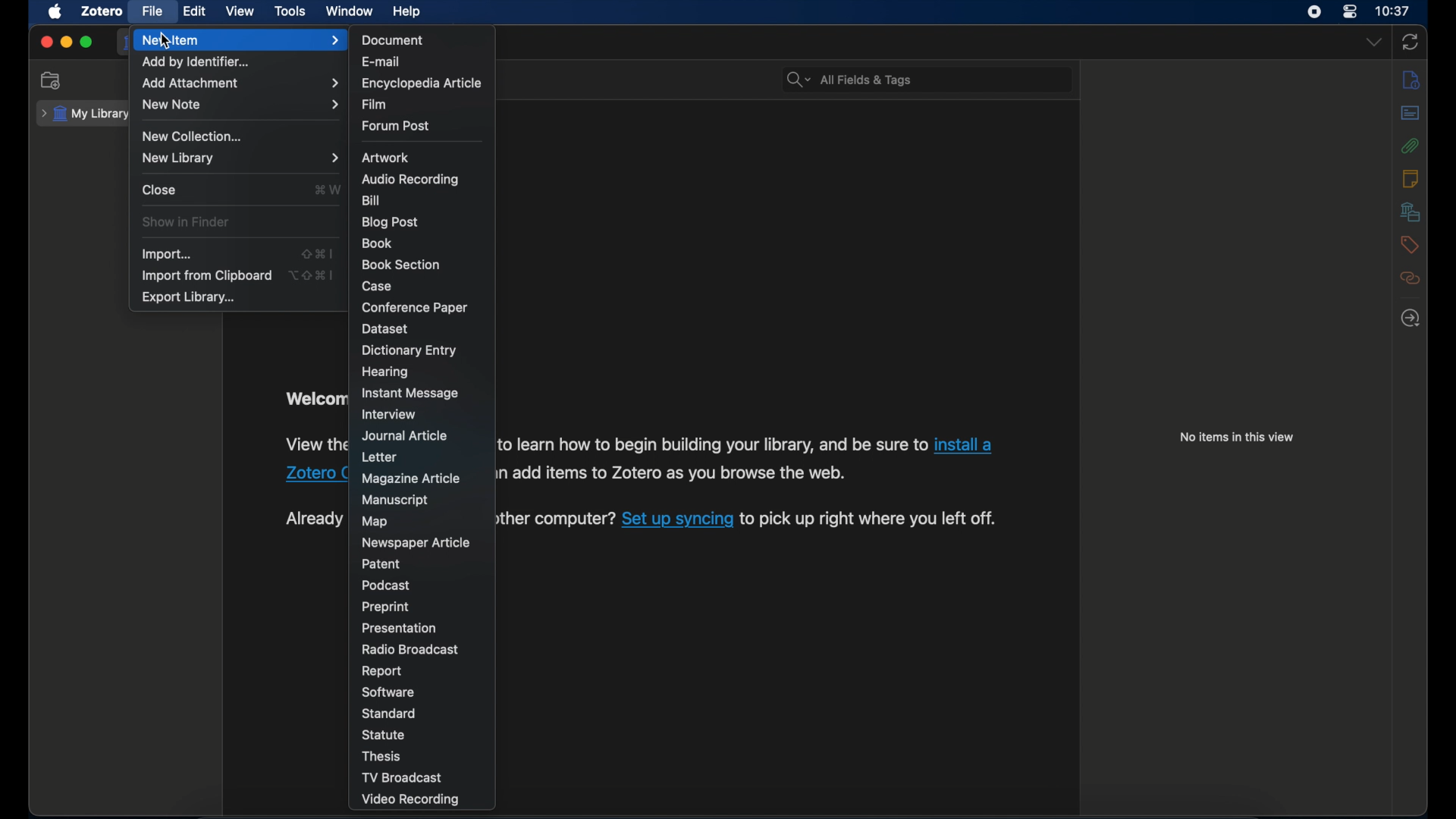  Describe the element at coordinates (53, 81) in the screenshot. I see `new collection` at that location.